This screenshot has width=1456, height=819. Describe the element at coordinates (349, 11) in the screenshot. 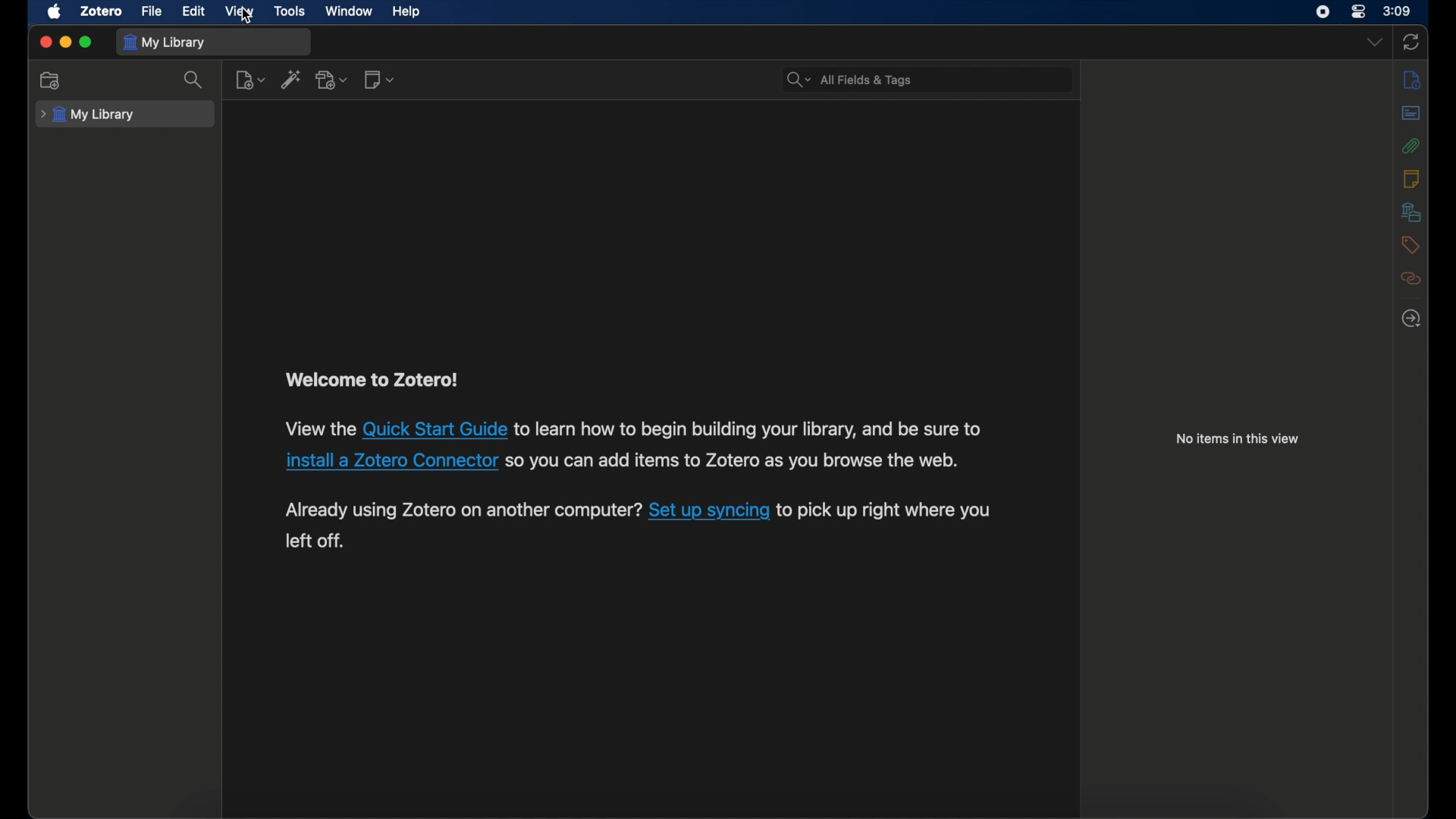

I see `window` at that location.